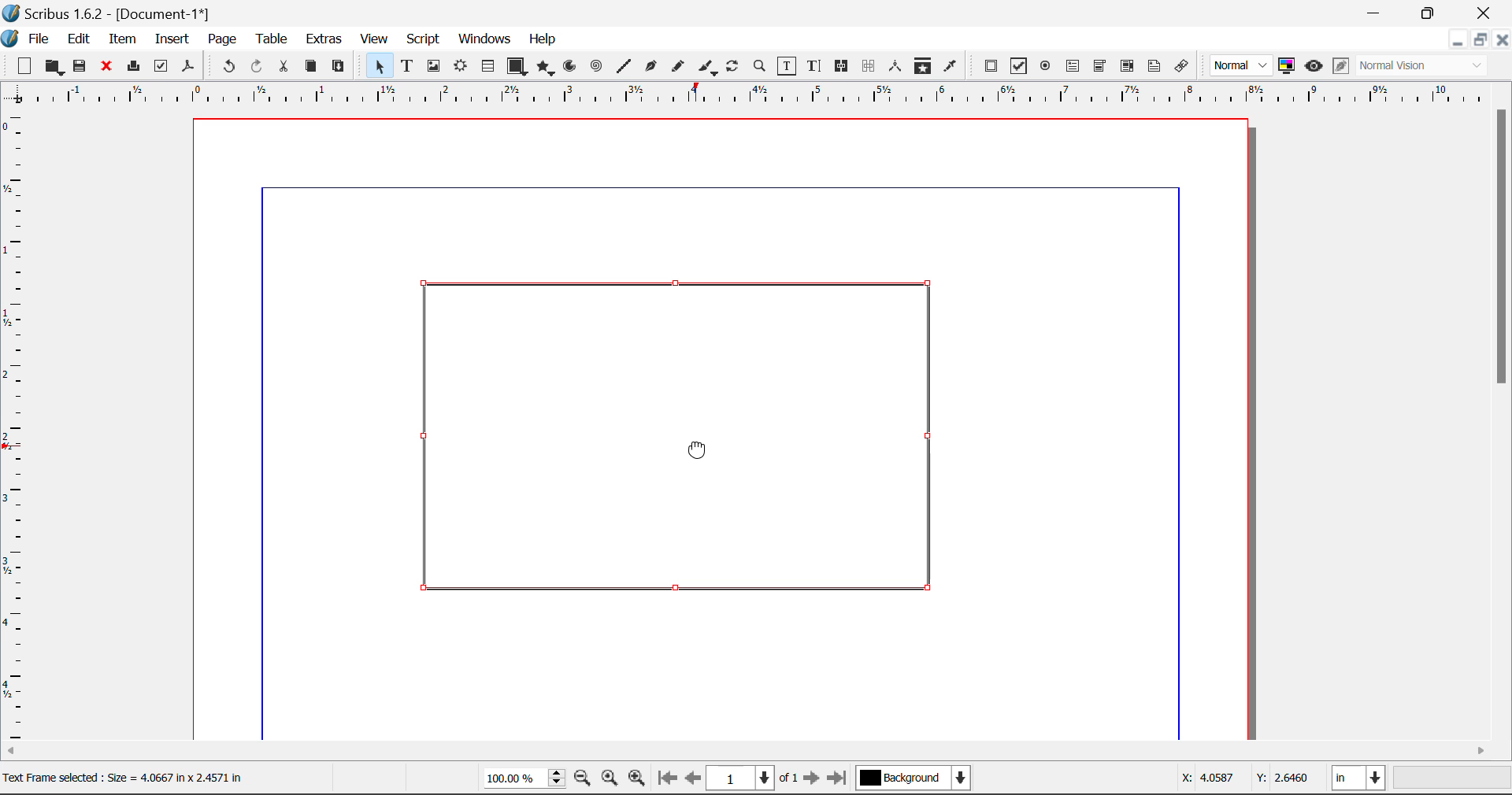 Image resolution: width=1512 pixels, height=795 pixels. Describe the element at coordinates (1073, 65) in the screenshot. I see `Pdf Text Field` at that location.